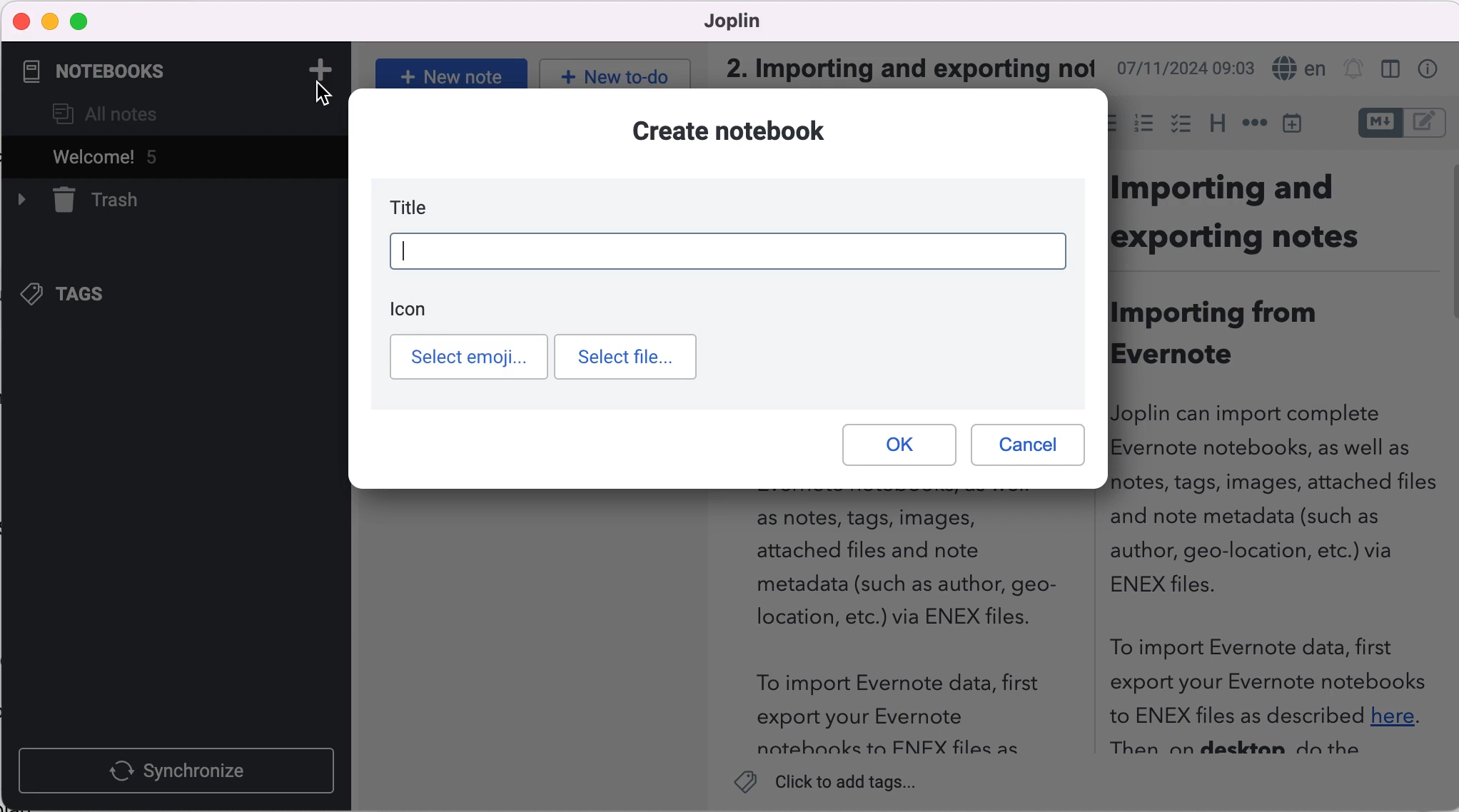  Describe the element at coordinates (897, 448) in the screenshot. I see `ok` at that location.